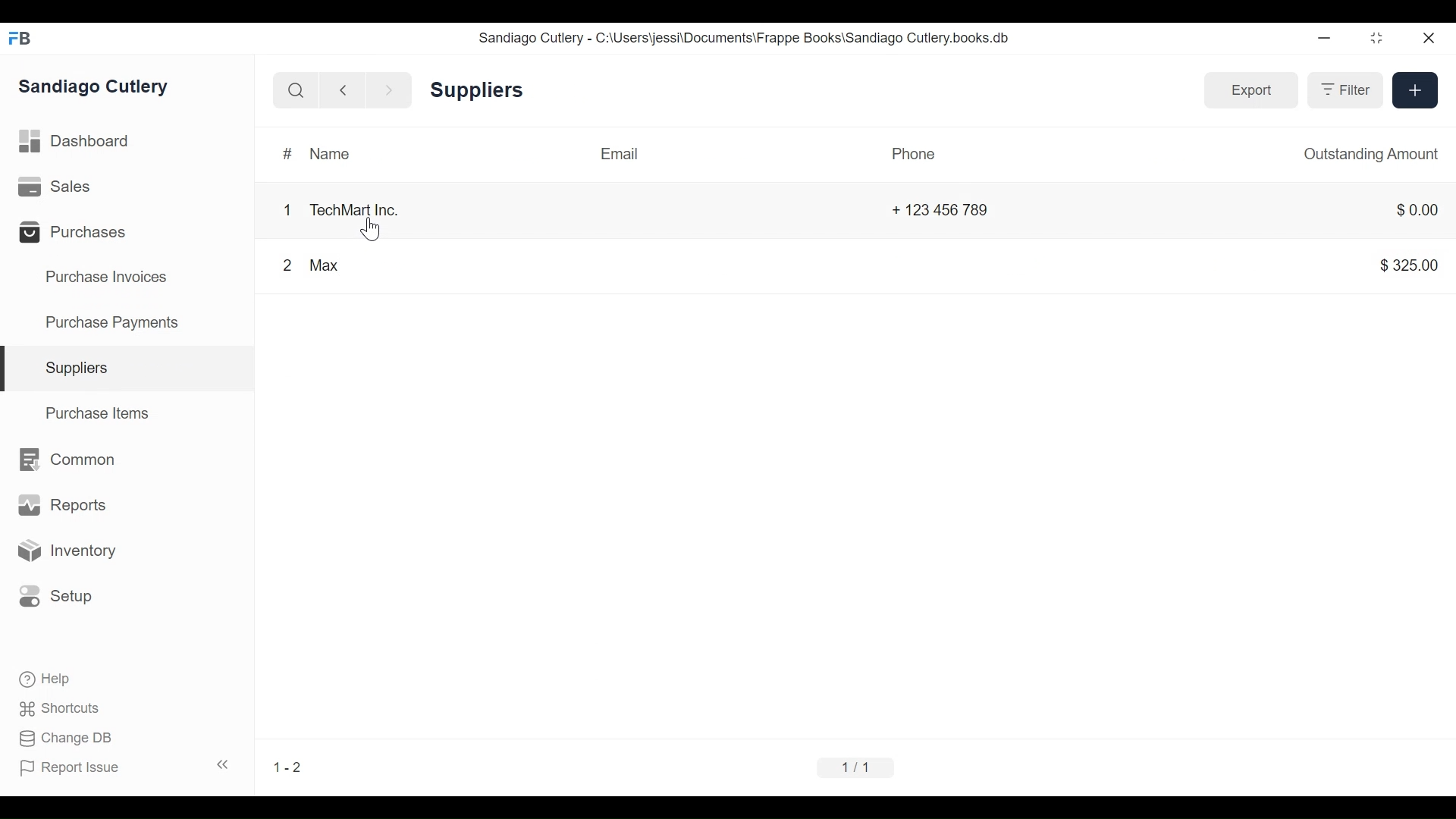  What do you see at coordinates (1326, 39) in the screenshot?
I see `minimize` at bounding box center [1326, 39].